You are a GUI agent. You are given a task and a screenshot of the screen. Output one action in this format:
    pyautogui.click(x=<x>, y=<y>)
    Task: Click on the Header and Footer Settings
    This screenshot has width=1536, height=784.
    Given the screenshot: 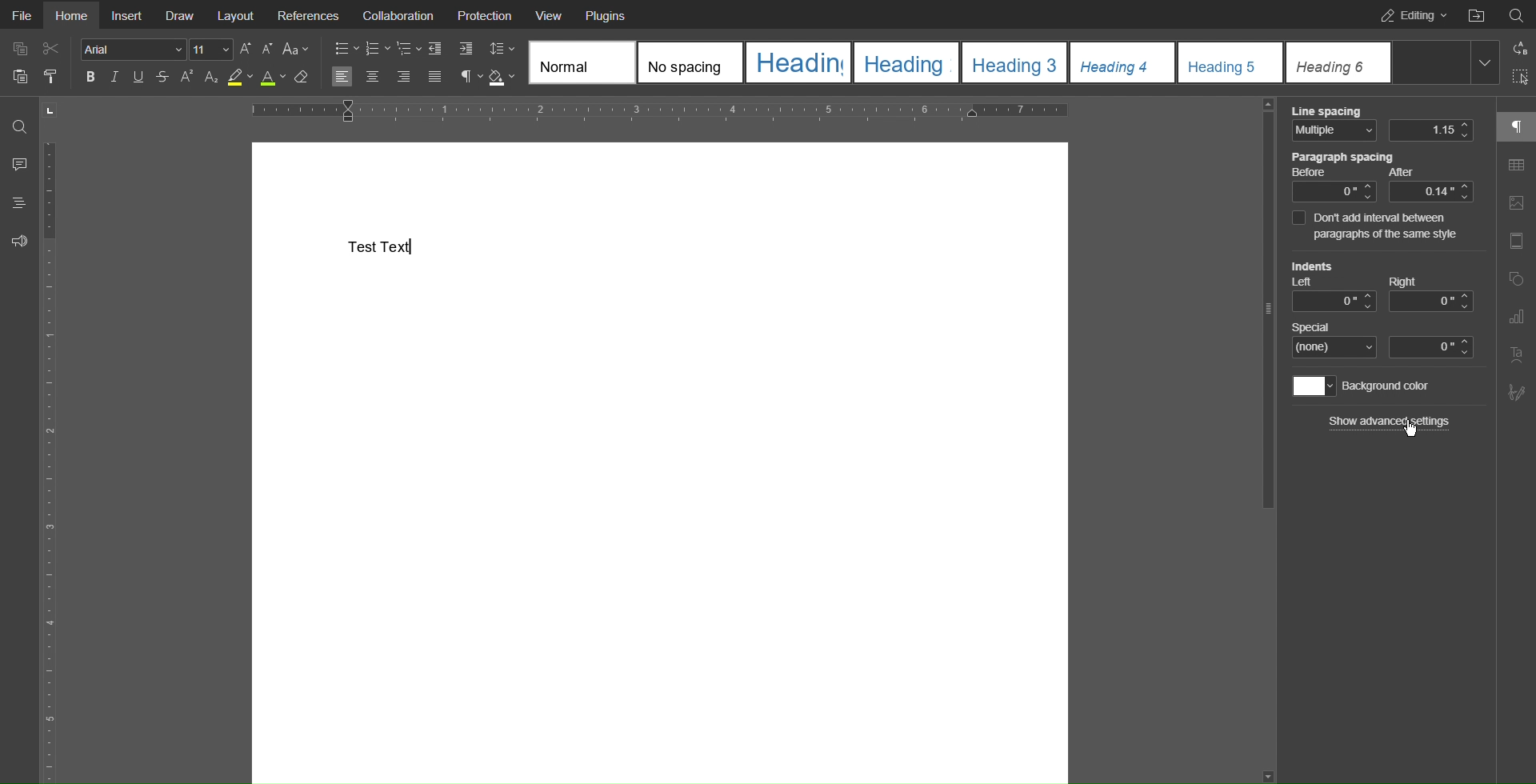 What is the action you would take?
    pyautogui.click(x=1514, y=243)
    